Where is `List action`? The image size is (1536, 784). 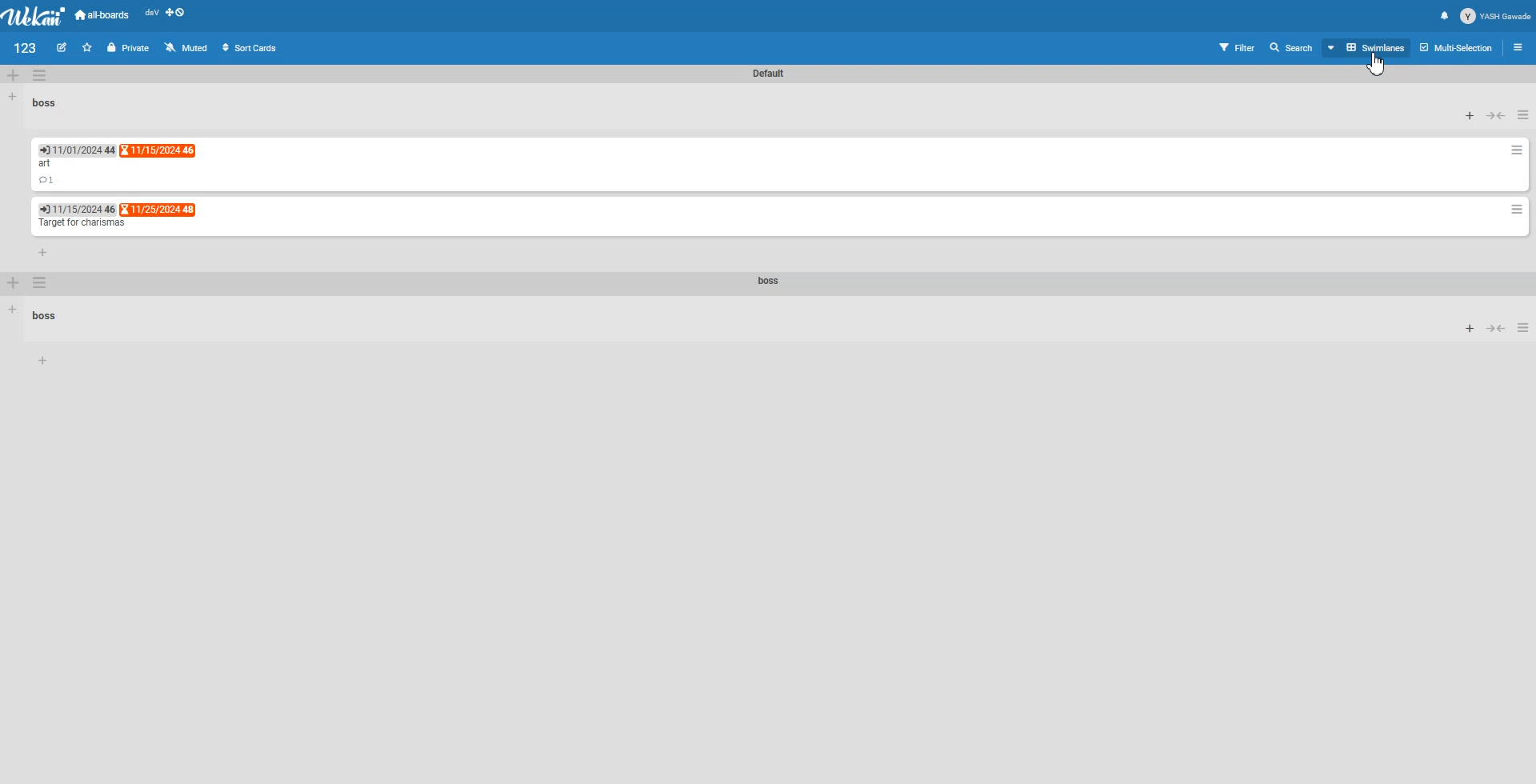
List action is located at coordinates (1525, 115).